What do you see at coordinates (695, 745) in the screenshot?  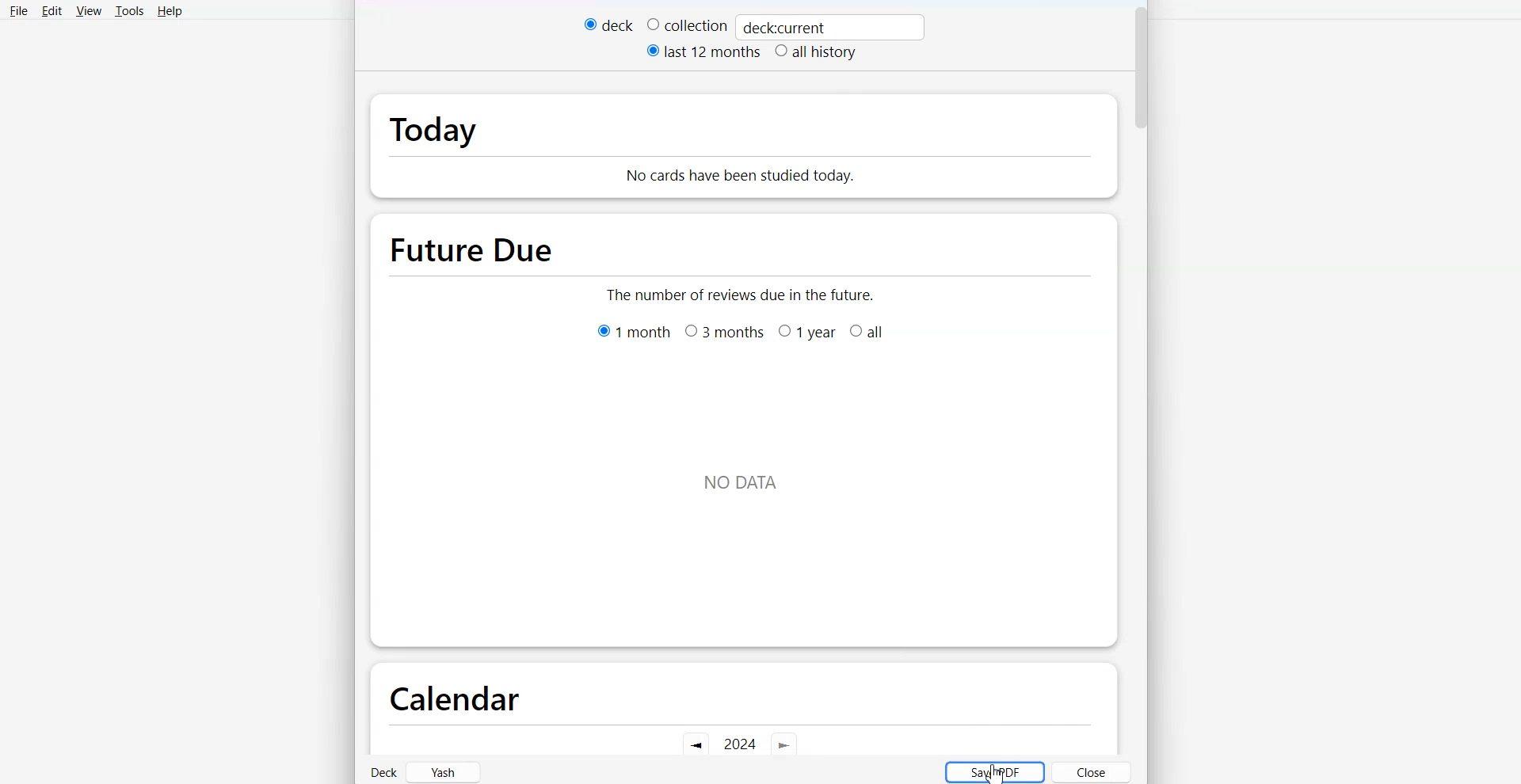 I see `Go Back` at bounding box center [695, 745].